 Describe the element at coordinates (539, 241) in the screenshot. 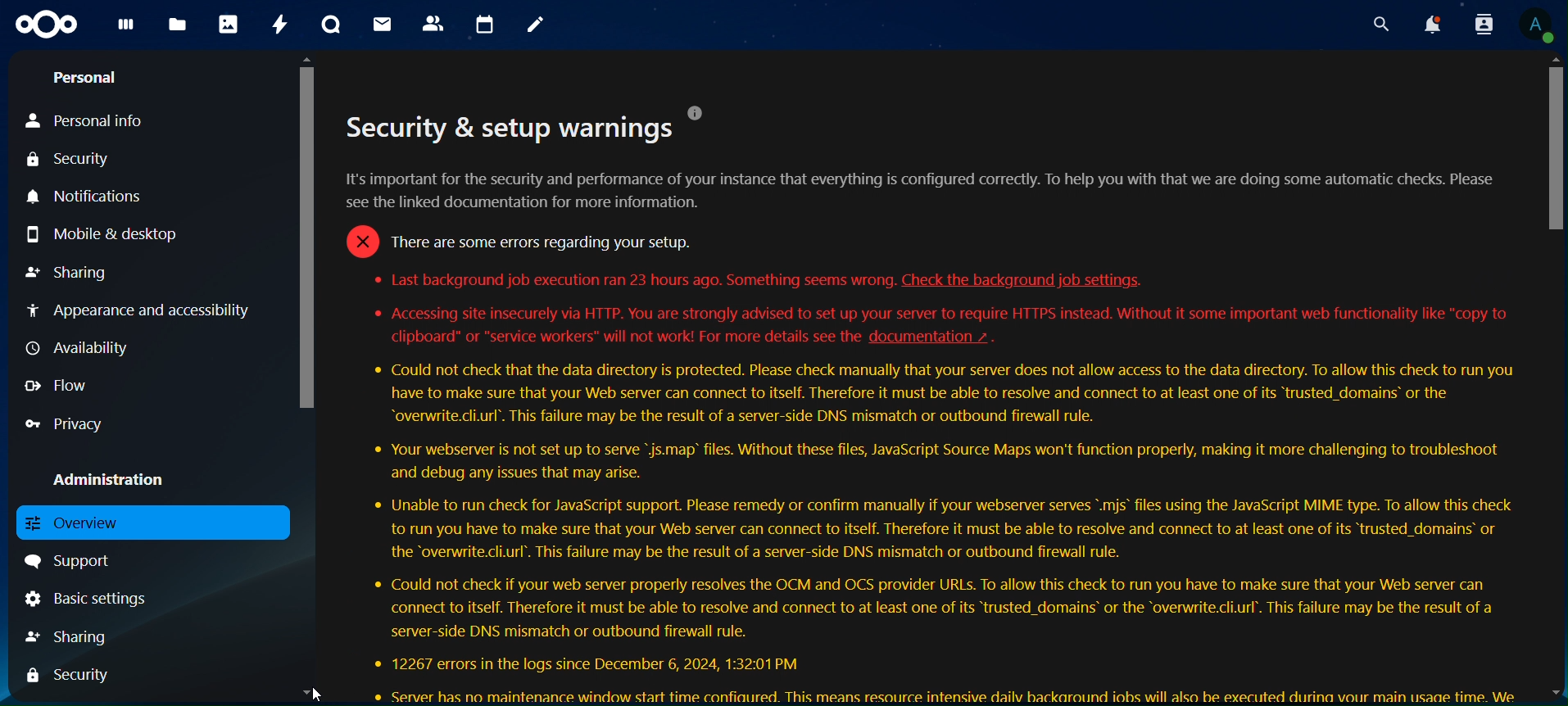

I see `There are some errors regarding your setup.` at that location.